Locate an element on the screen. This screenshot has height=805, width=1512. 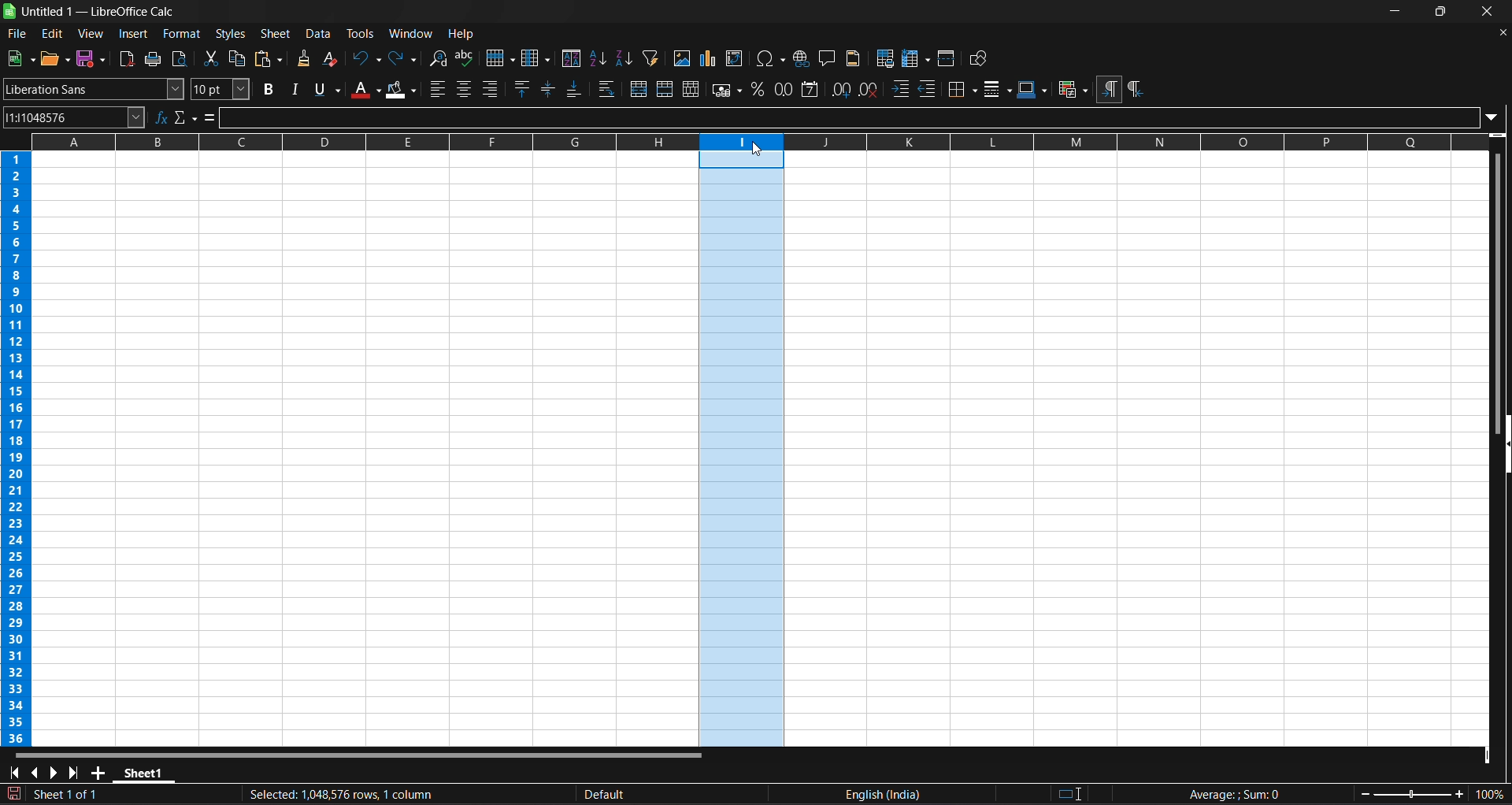
scroll to last sheet is located at coordinates (77, 772).